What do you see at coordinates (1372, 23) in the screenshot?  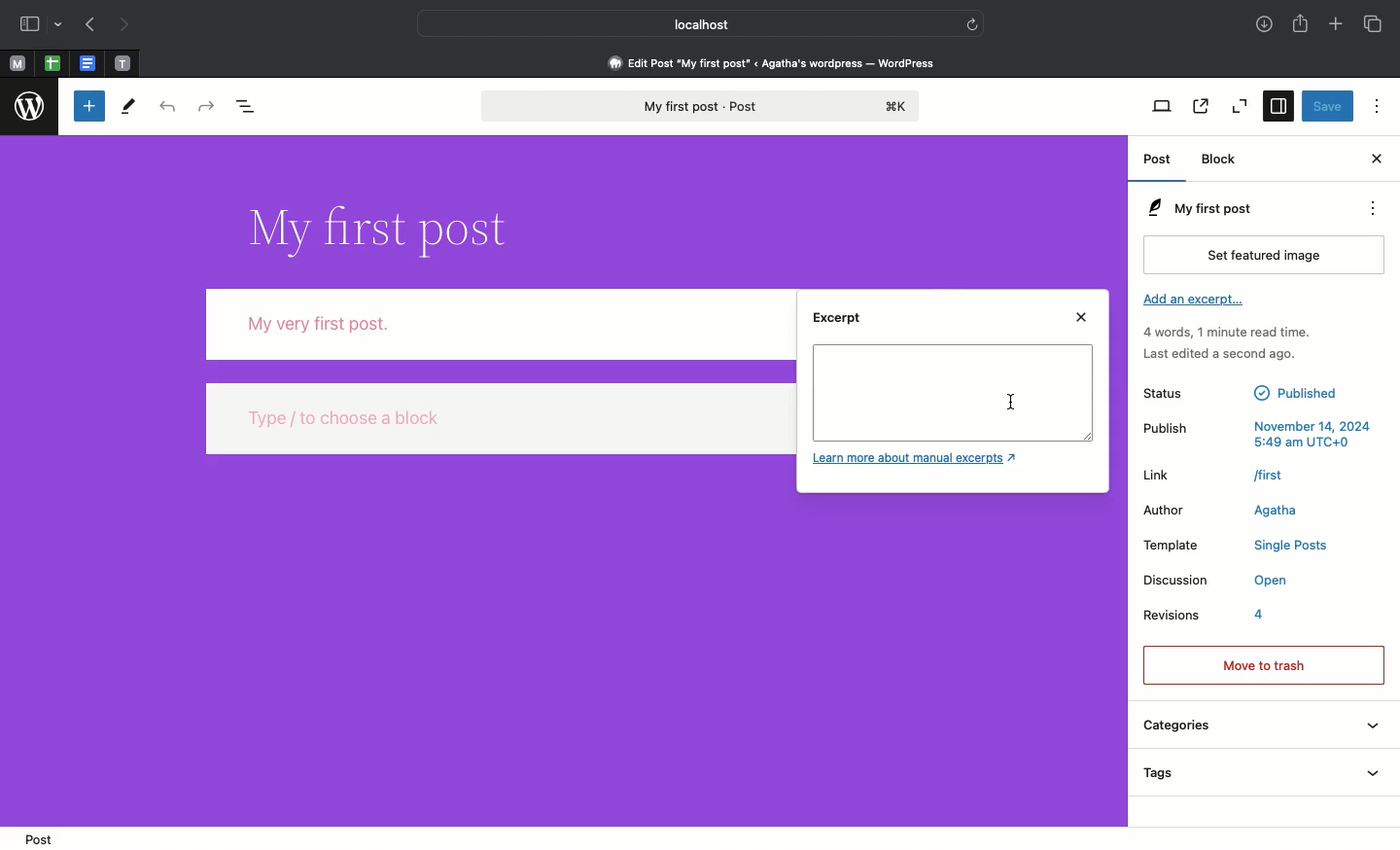 I see `Tabs` at bounding box center [1372, 23].